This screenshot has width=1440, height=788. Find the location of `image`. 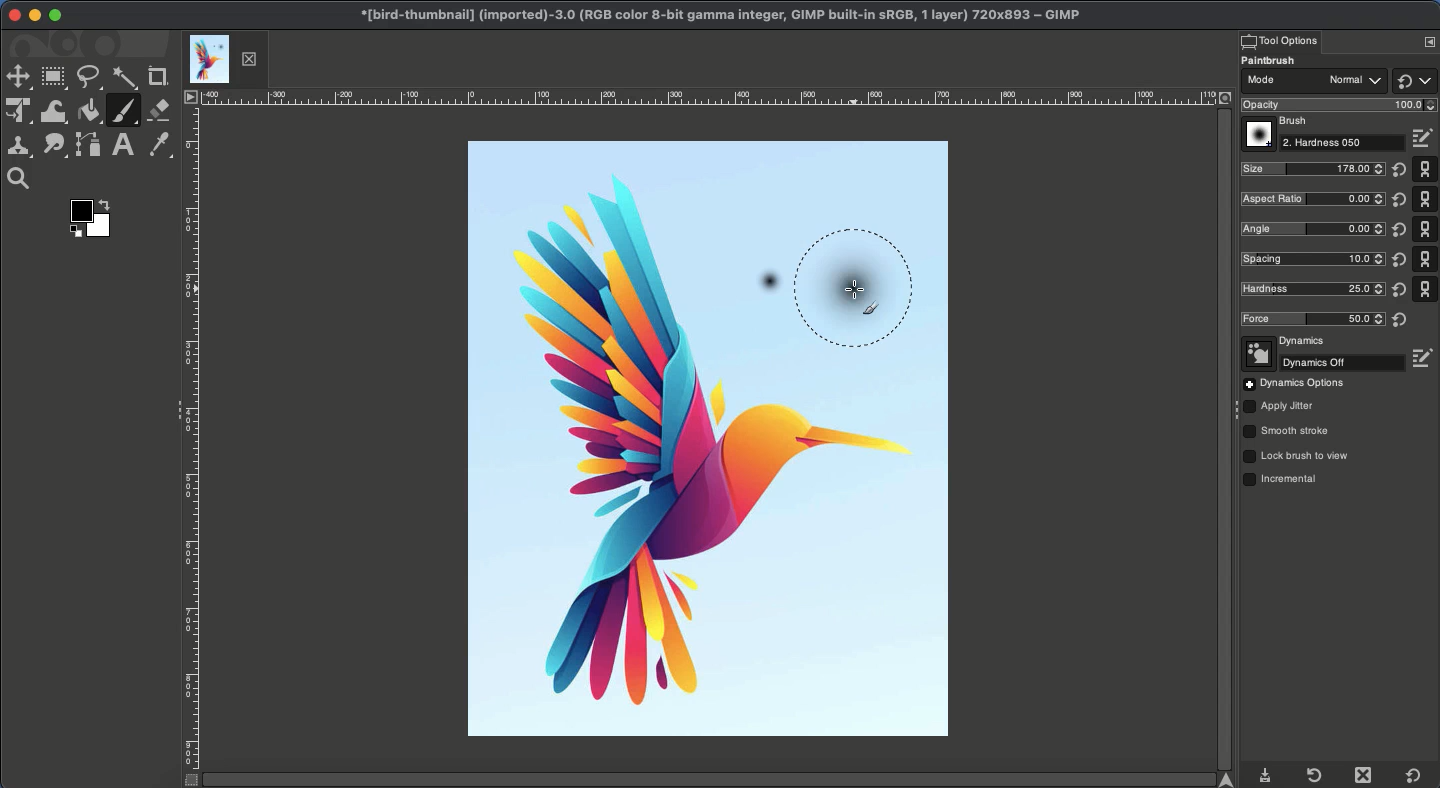

image is located at coordinates (710, 179).